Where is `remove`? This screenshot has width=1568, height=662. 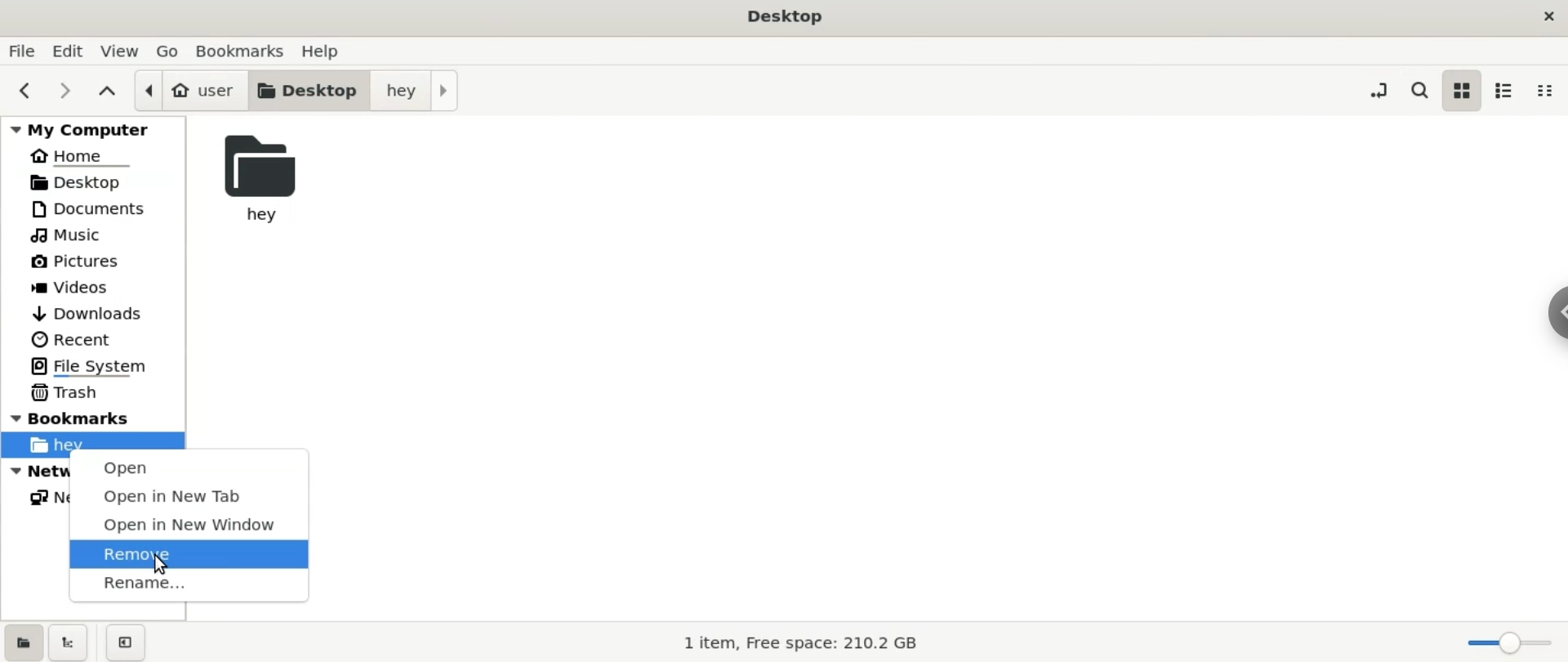
remove is located at coordinates (189, 557).